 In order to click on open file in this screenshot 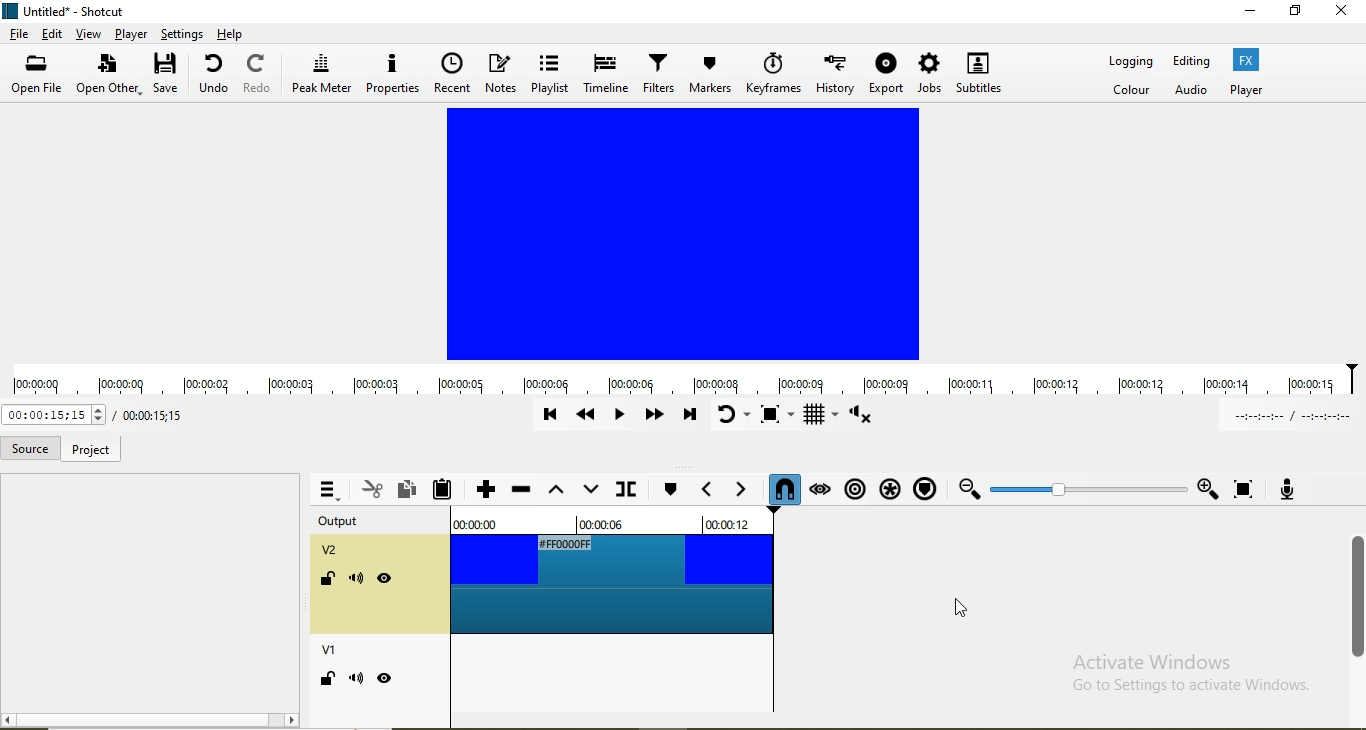, I will do `click(40, 76)`.